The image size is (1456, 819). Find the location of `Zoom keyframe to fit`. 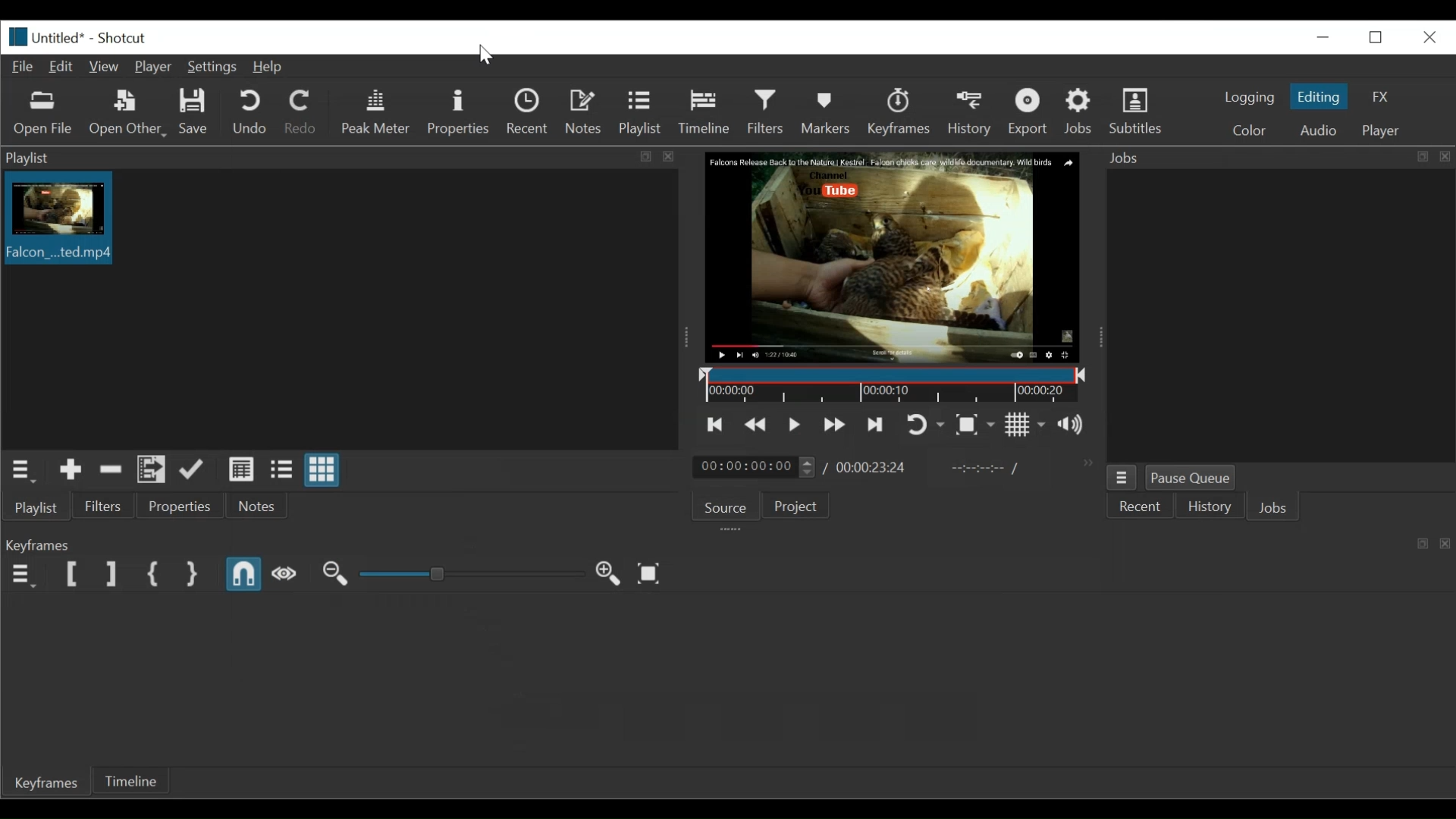

Zoom keyframe to fit is located at coordinates (651, 576).